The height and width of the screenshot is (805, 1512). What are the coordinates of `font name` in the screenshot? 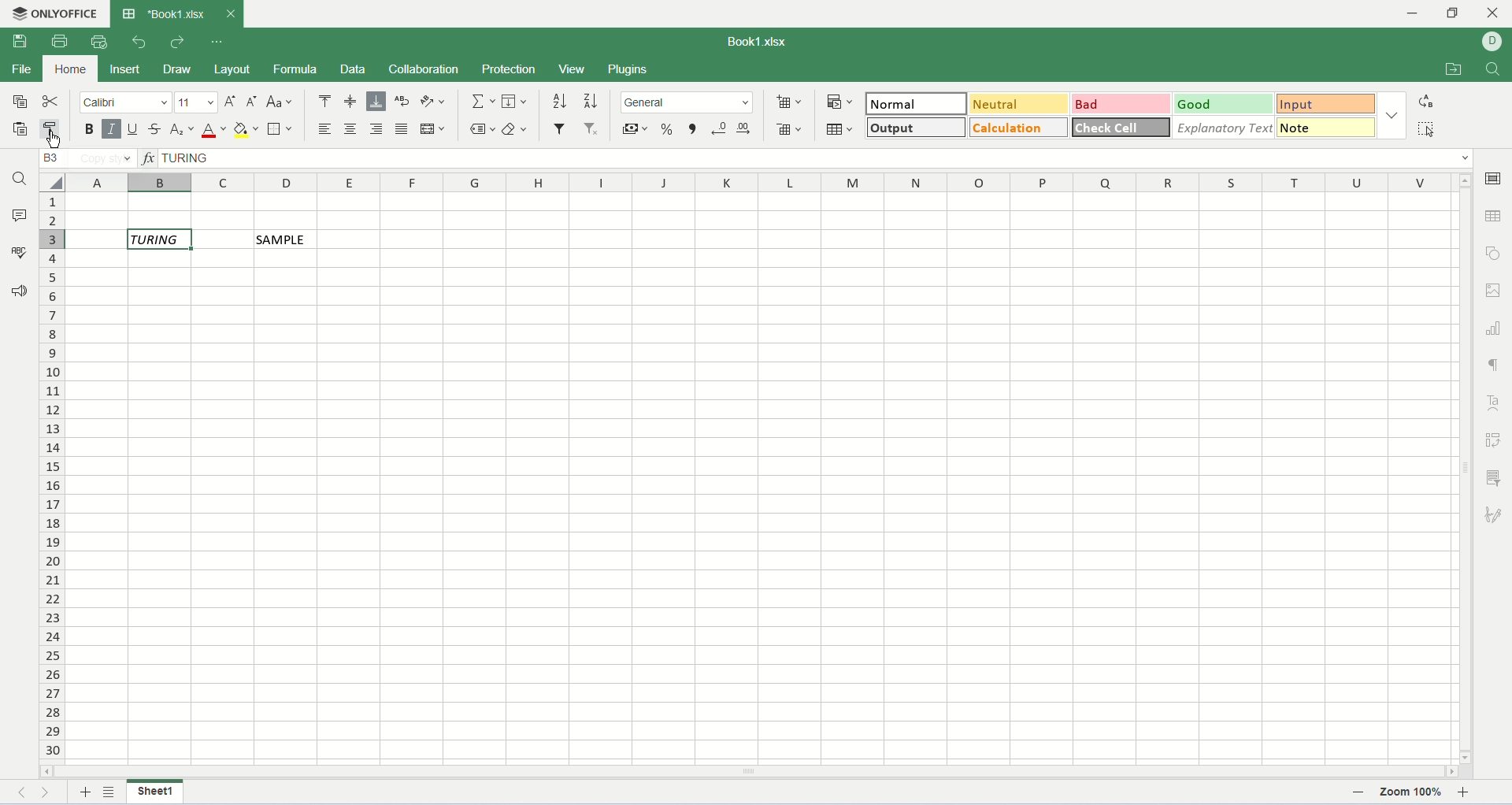 It's located at (126, 102).